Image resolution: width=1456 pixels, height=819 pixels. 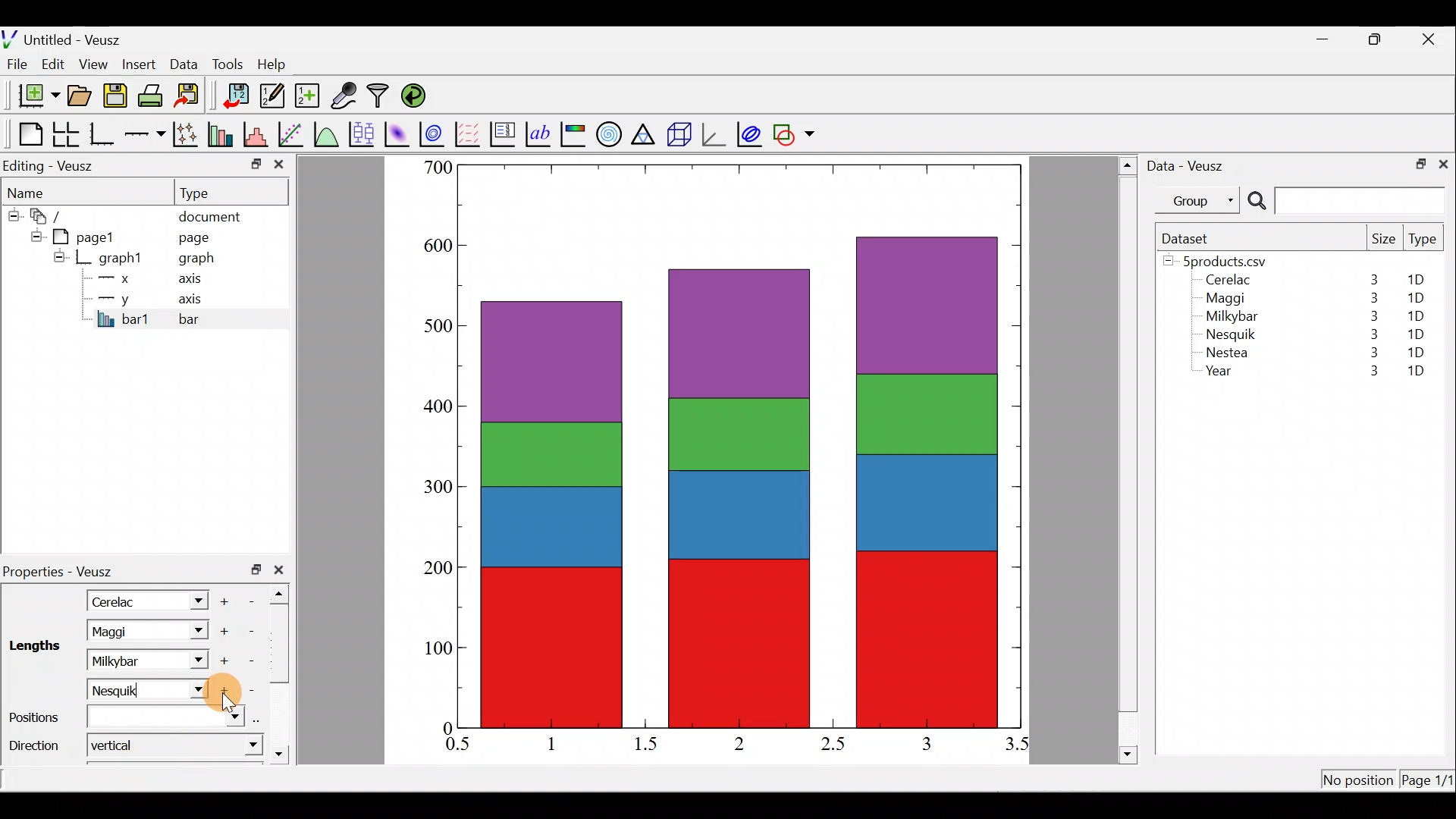 What do you see at coordinates (195, 281) in the screenshot?
I see `axis` at bounding box center [195, 281].